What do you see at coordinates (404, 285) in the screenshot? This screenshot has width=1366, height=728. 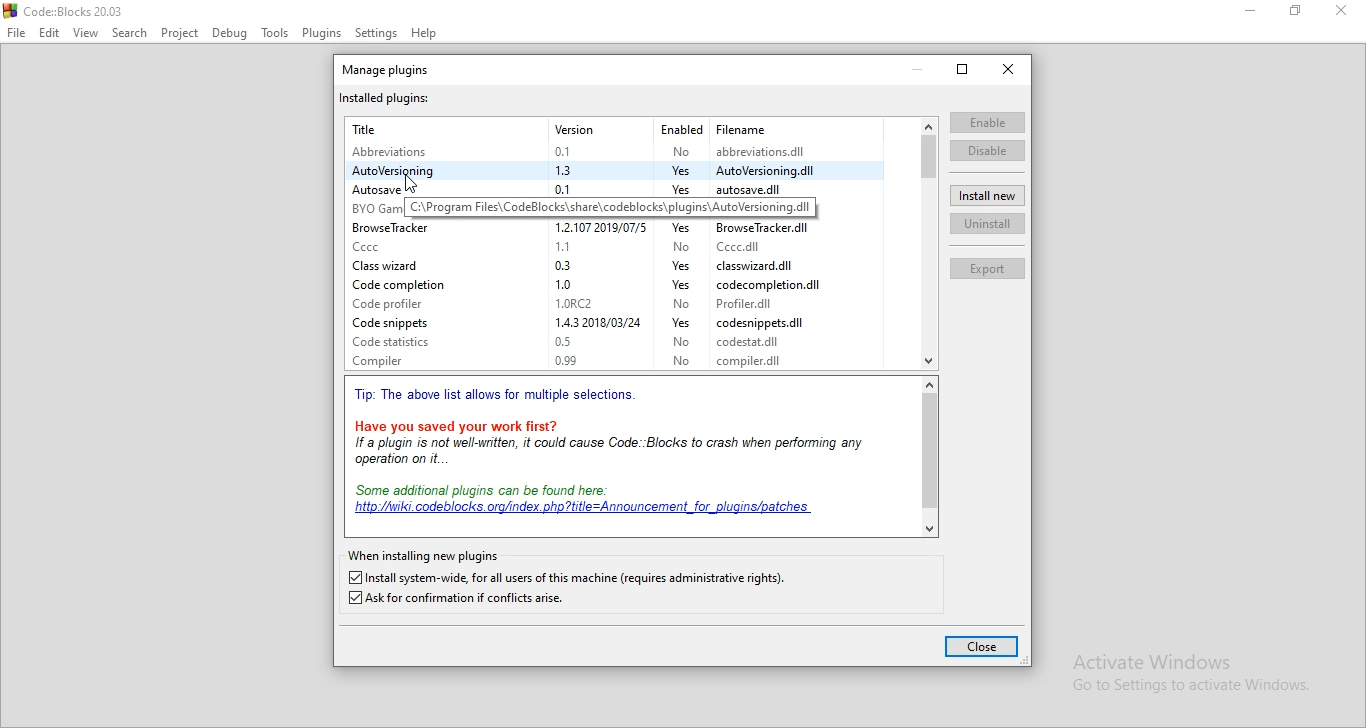 I see `Code completion` at bounding box center [404, 285].